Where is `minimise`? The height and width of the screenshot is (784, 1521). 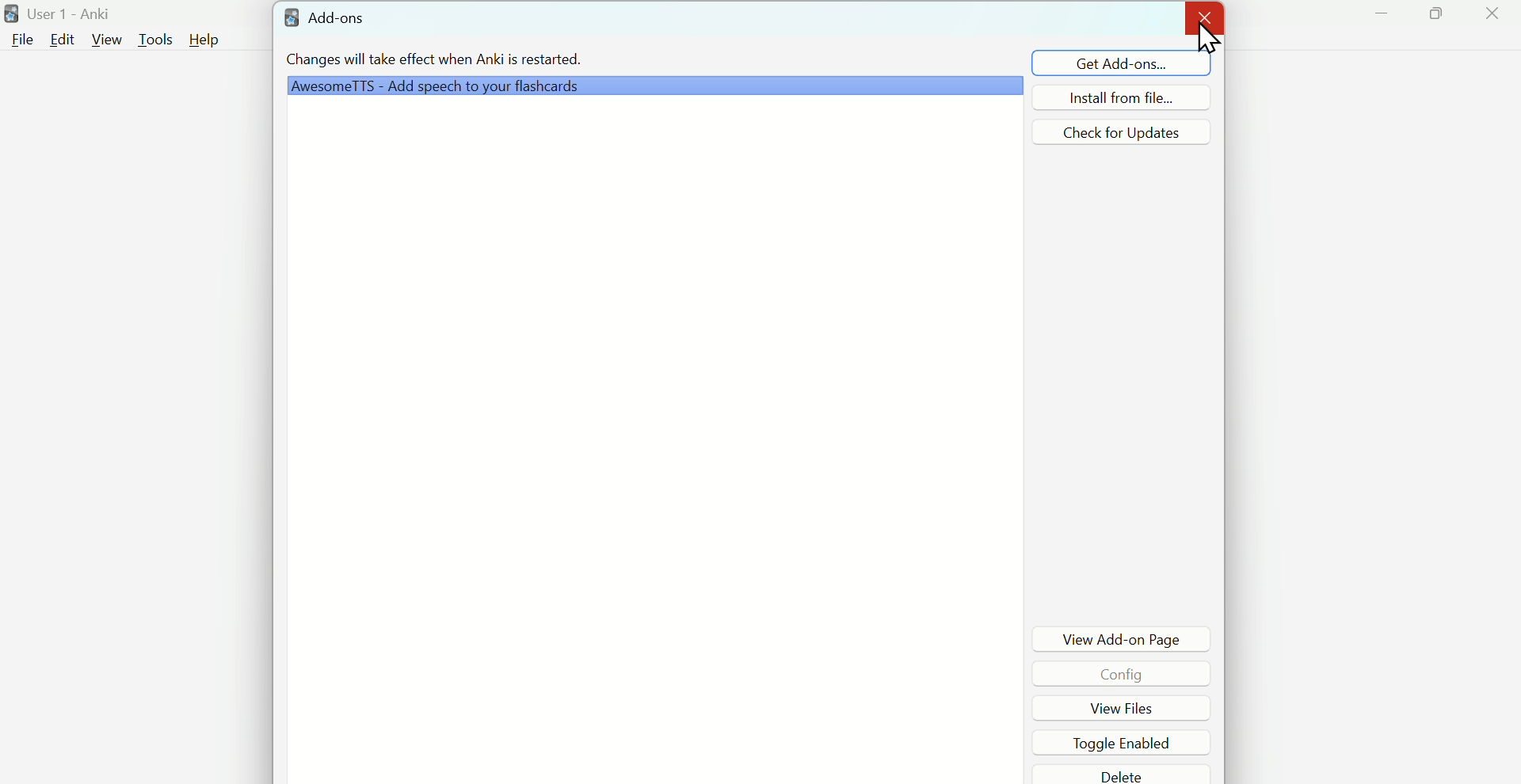 minimise is located at coordinates (1384, 23).